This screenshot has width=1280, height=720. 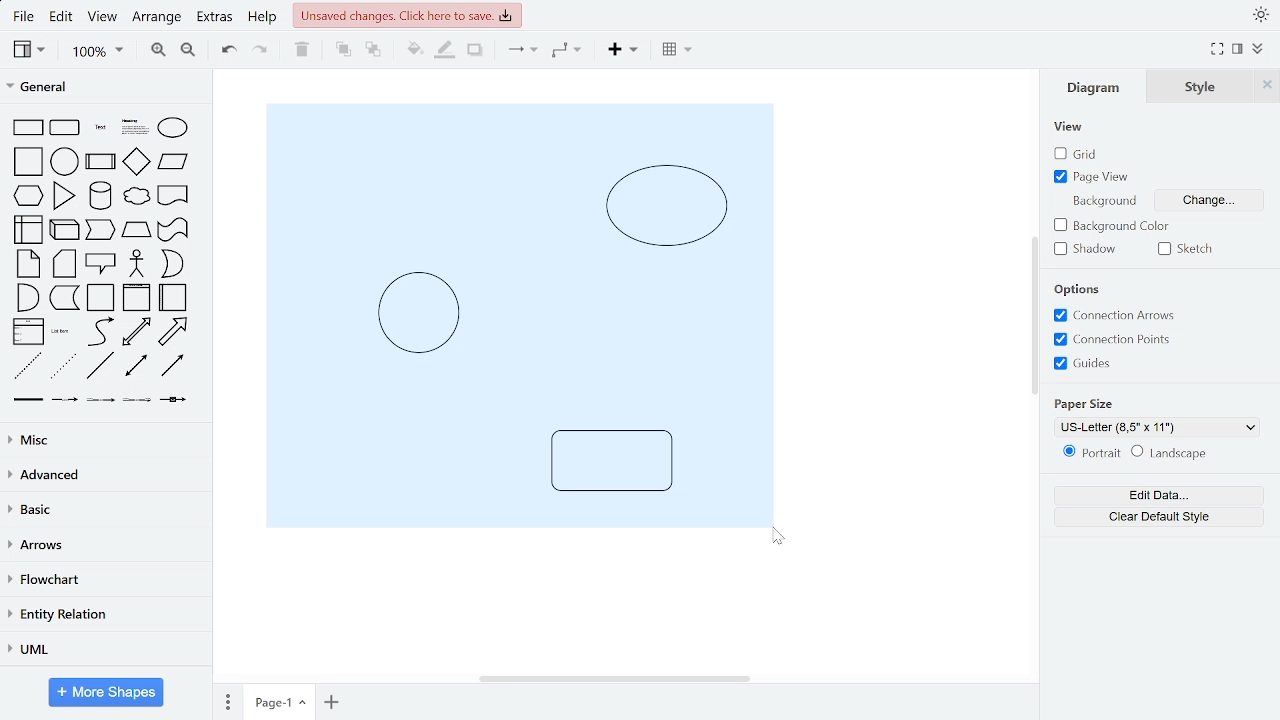 What do you see at coordinates (103, 546) in the screenshot?
I see `arrows` at bounding box center [103, 546].